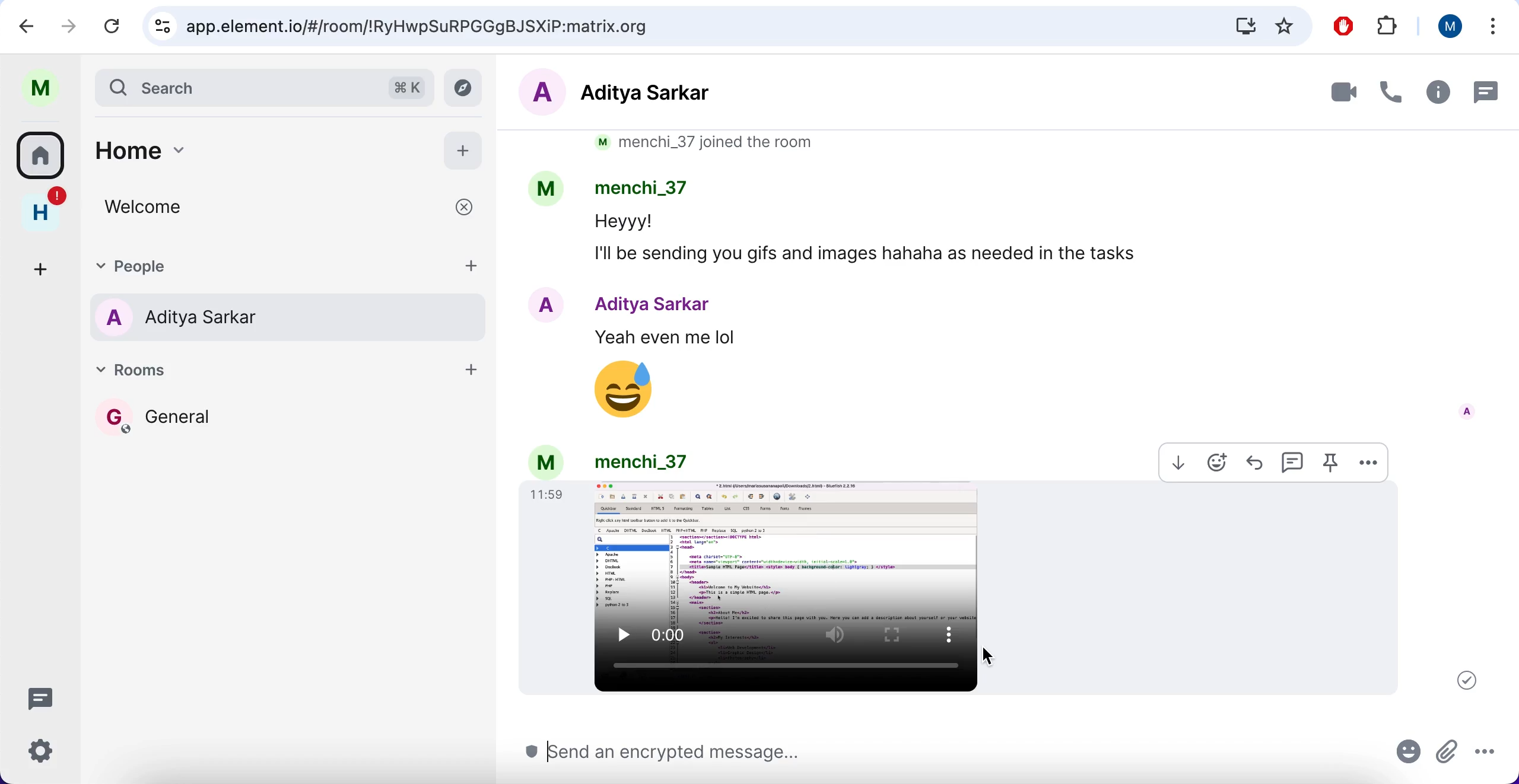  Describe the element at coordinates (45, 700) in the screenshot. I see `chat` at that location.